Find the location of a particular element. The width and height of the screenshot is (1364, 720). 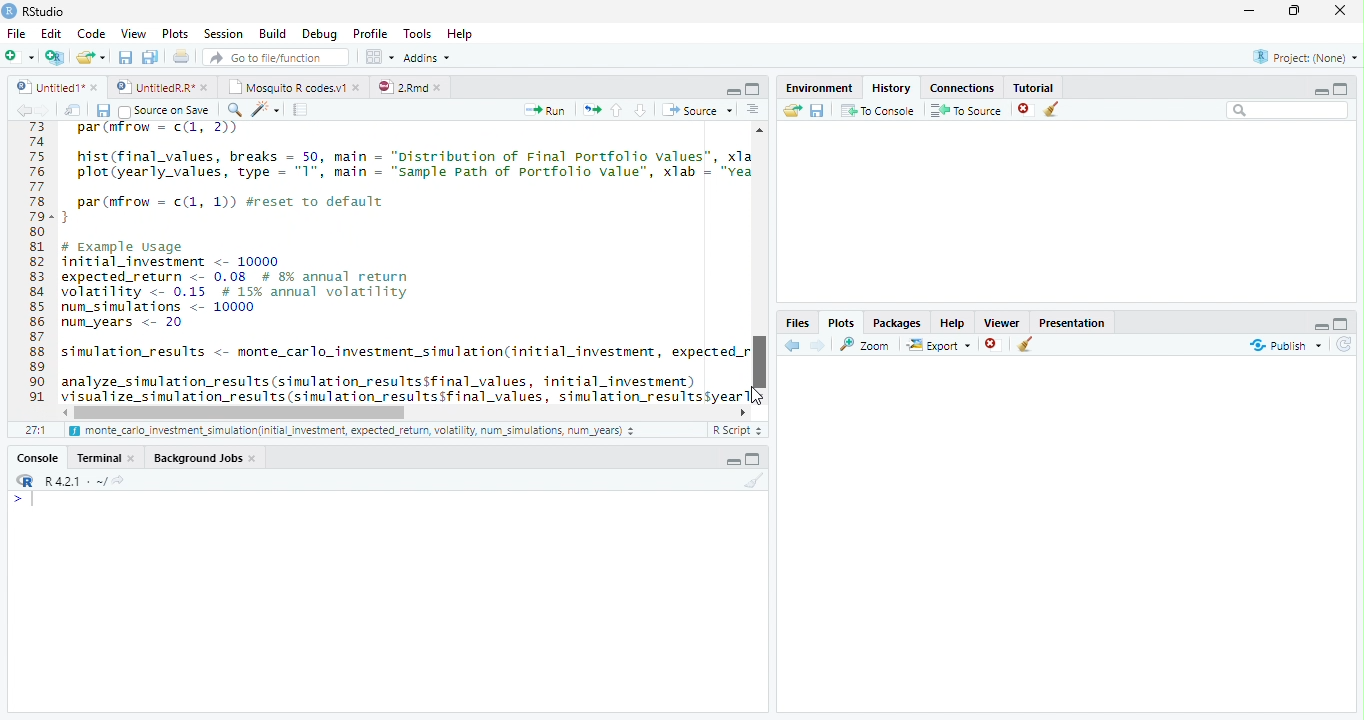

Minimize is located at coordinates (1253, 12).